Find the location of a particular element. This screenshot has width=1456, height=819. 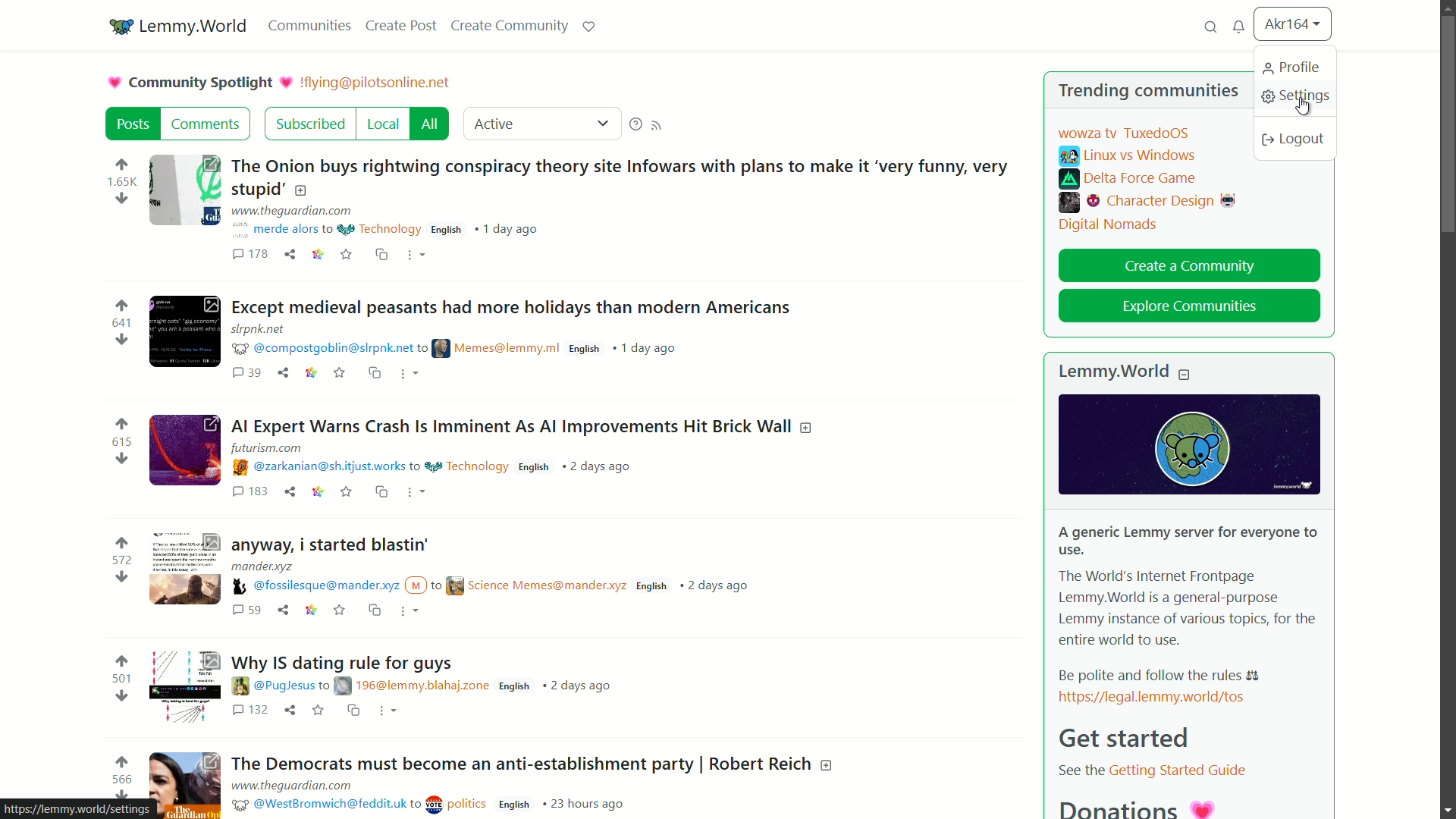

number of votes is located at coordinates (121, 323).